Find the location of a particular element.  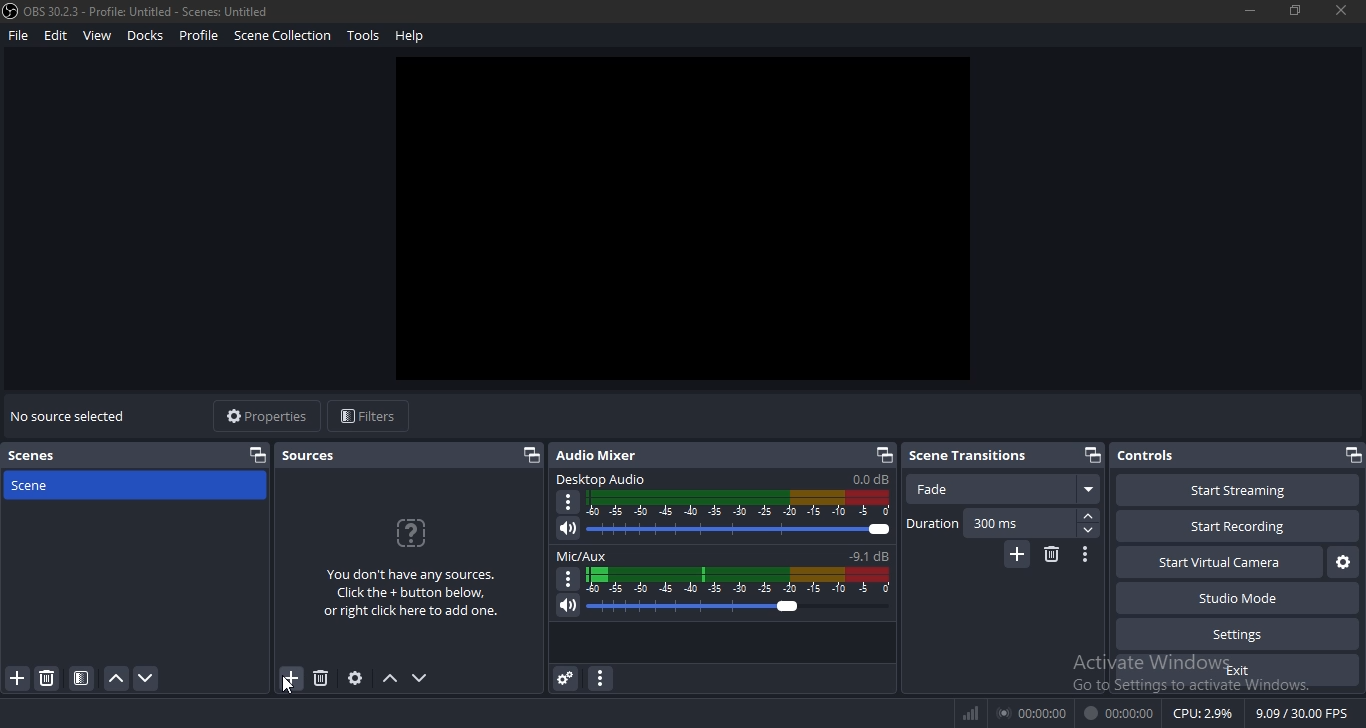

minimize is located at coordinates (1251, 11).